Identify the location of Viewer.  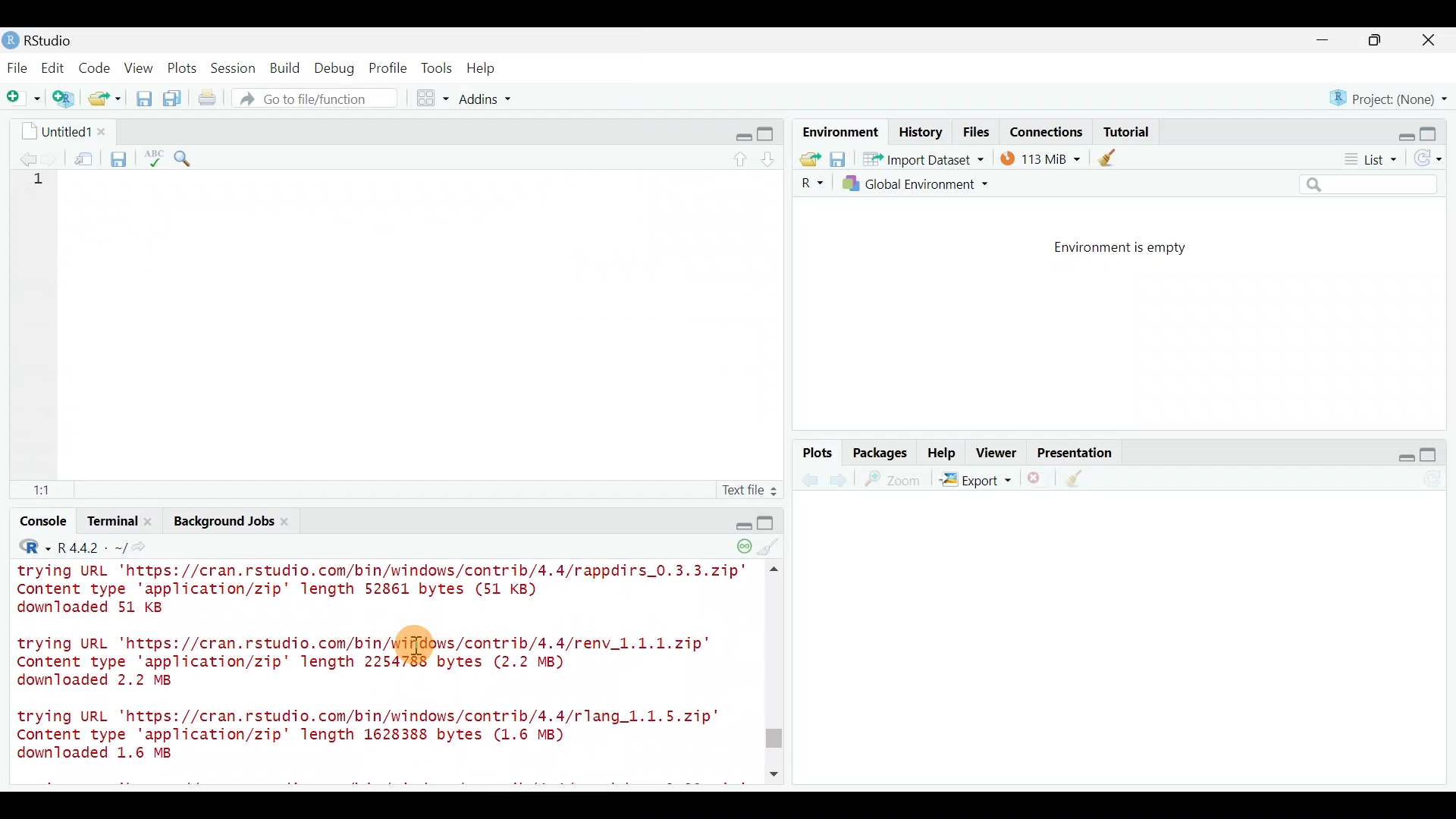
(996, 454).